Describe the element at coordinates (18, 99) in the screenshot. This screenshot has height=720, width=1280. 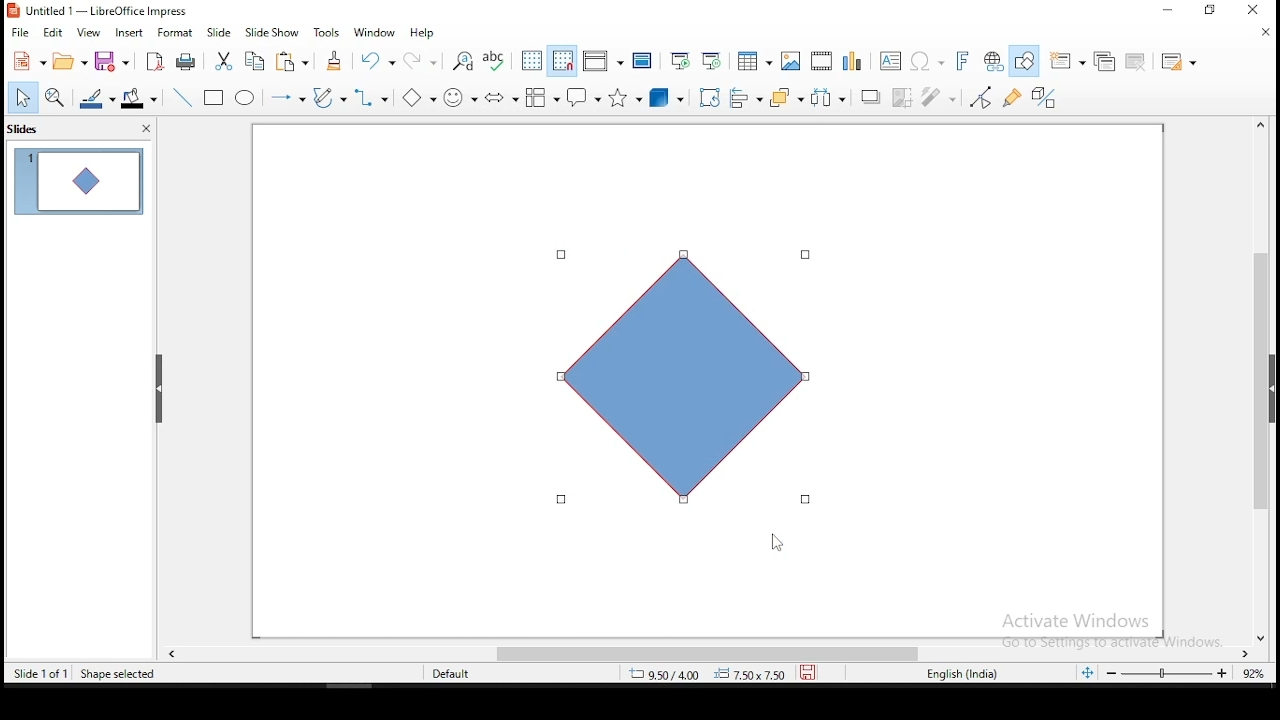
I see `select tool` at that location.